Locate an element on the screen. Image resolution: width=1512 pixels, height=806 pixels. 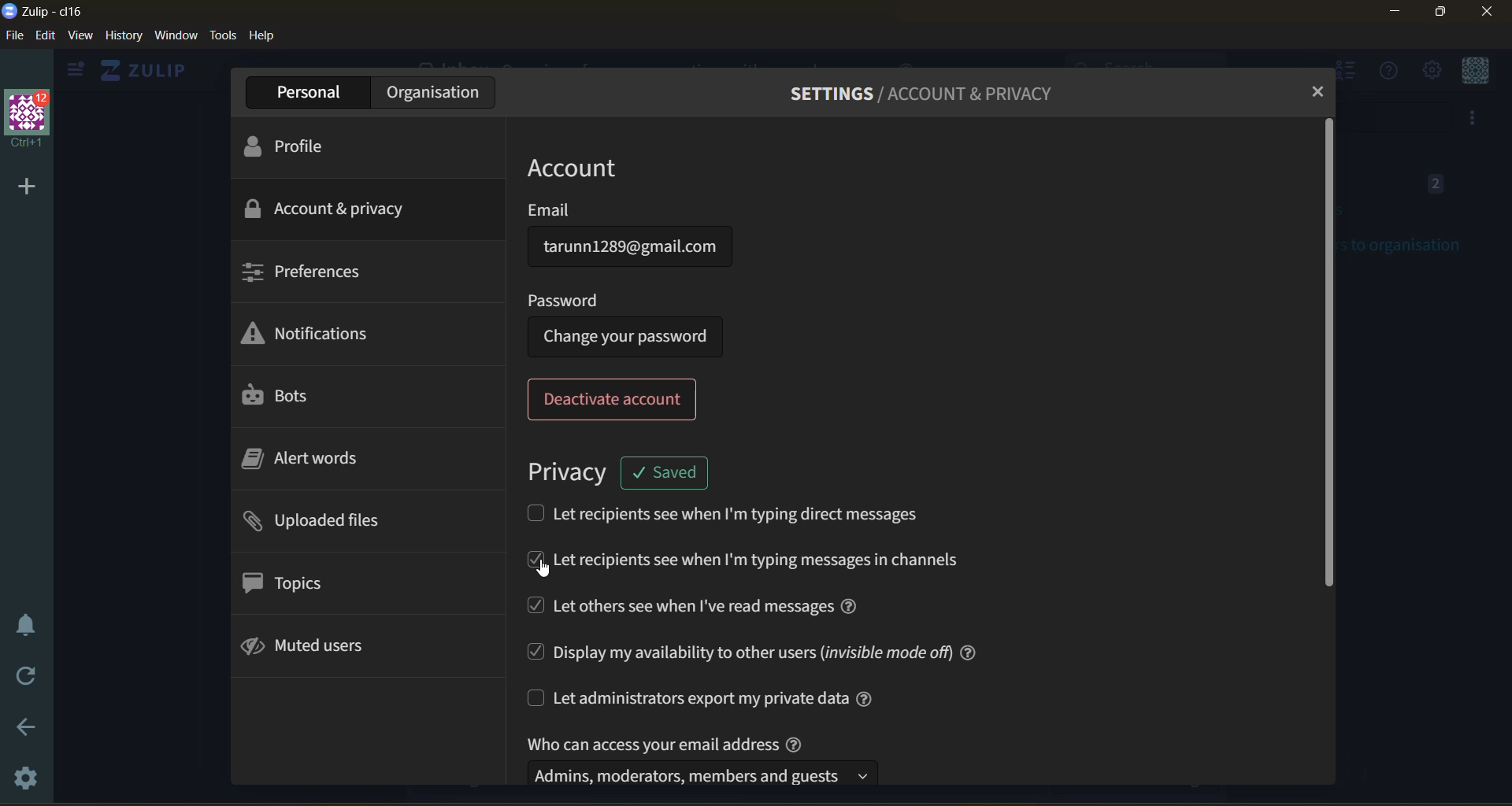
personal is located at coordinates (309, 93).